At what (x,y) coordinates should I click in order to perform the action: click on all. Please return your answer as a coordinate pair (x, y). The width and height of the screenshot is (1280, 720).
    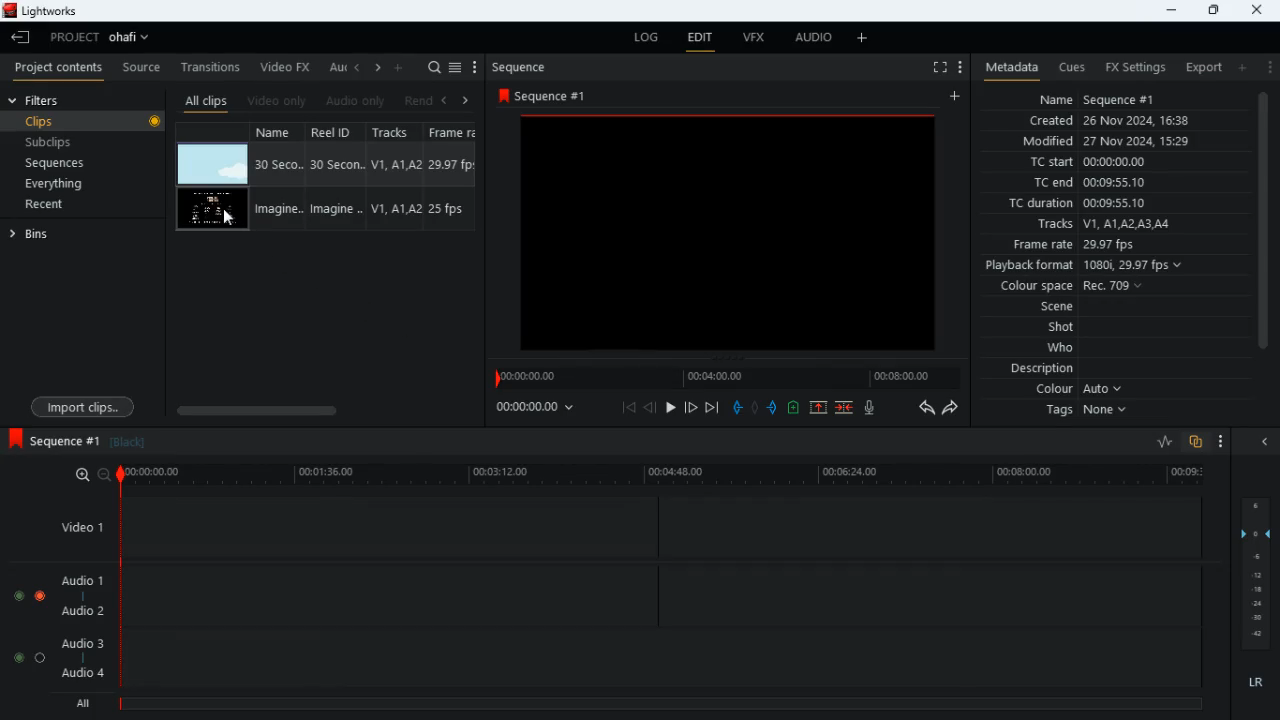
    Looking at the image, I should click on (80, 704).